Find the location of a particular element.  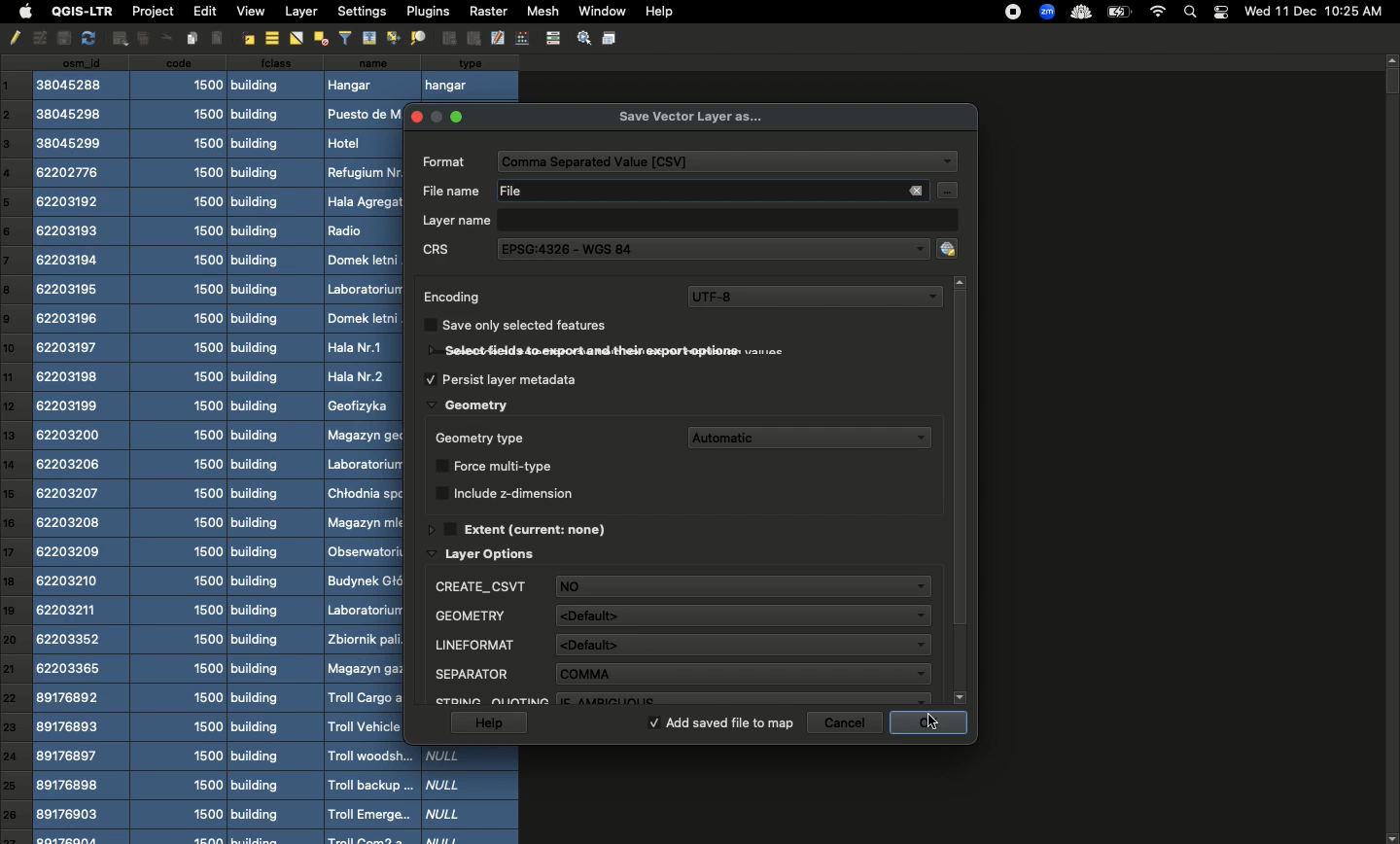

Align Top is located at coordinates (369, 37).